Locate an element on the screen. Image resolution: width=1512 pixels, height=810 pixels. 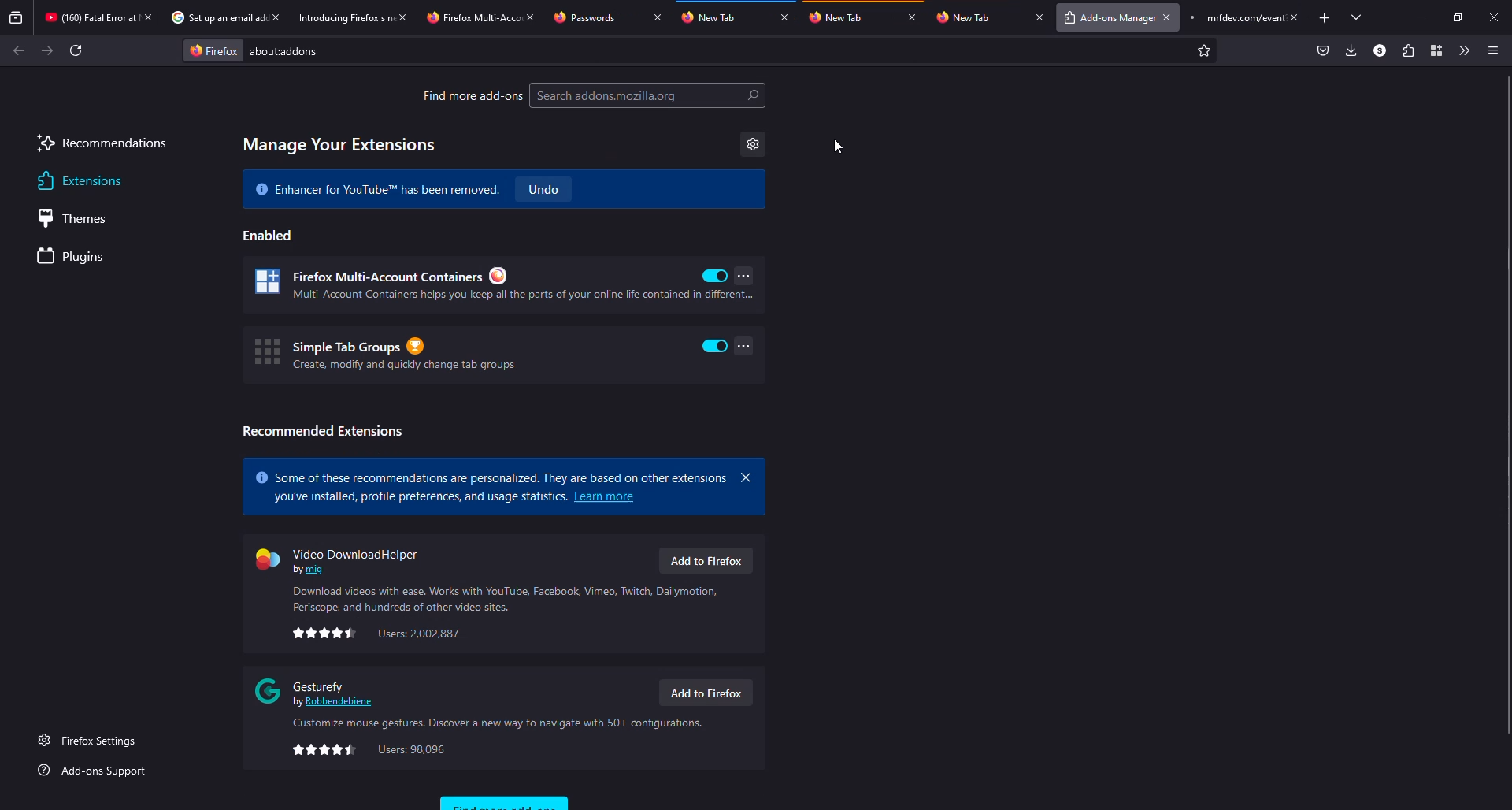
more is located at coordinates (743, 345).